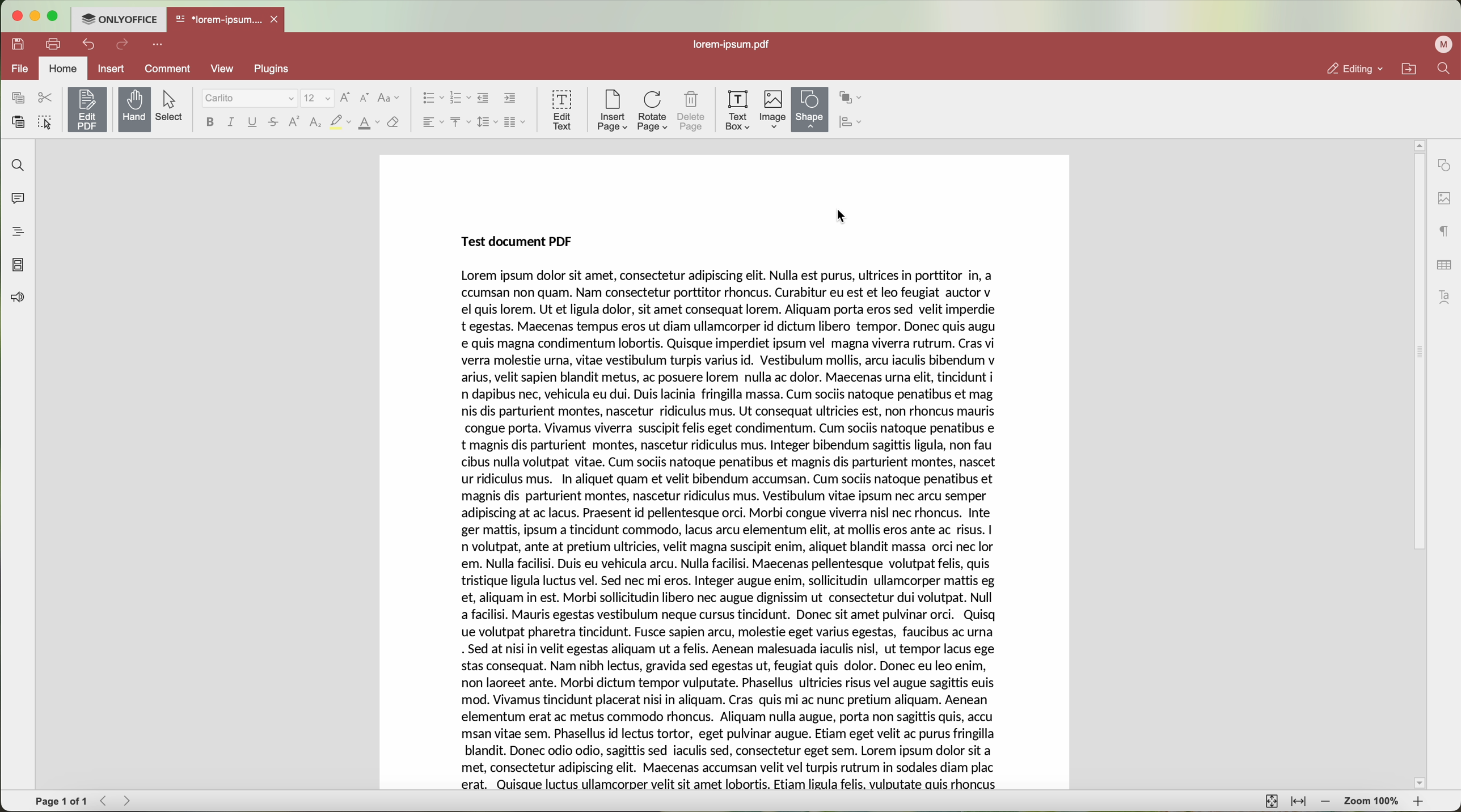  Describe the element at coordinates (514, 240) in the screenshot. I see `Test document PDF` at that location.